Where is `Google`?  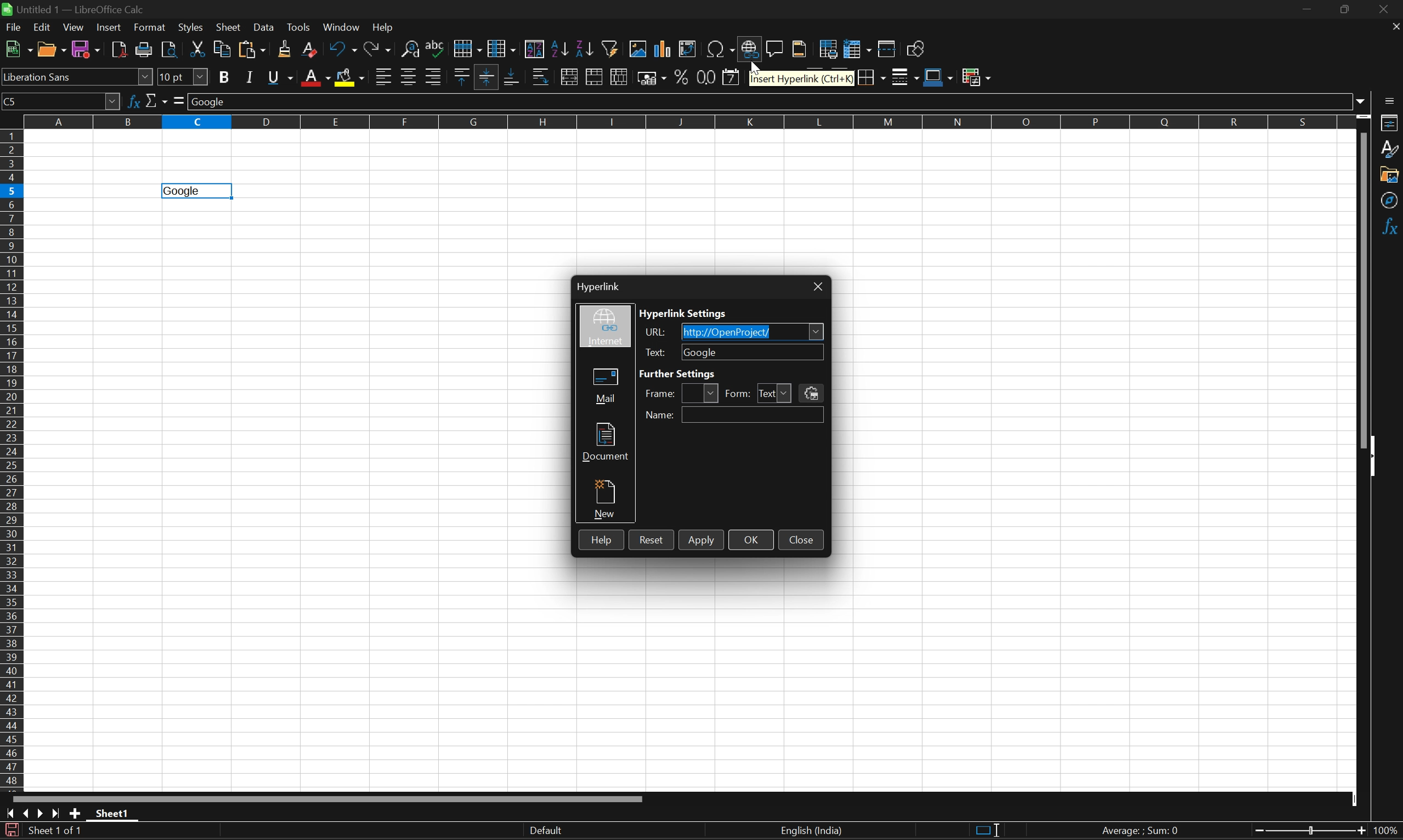
Google is located at coordinates (700, 352).